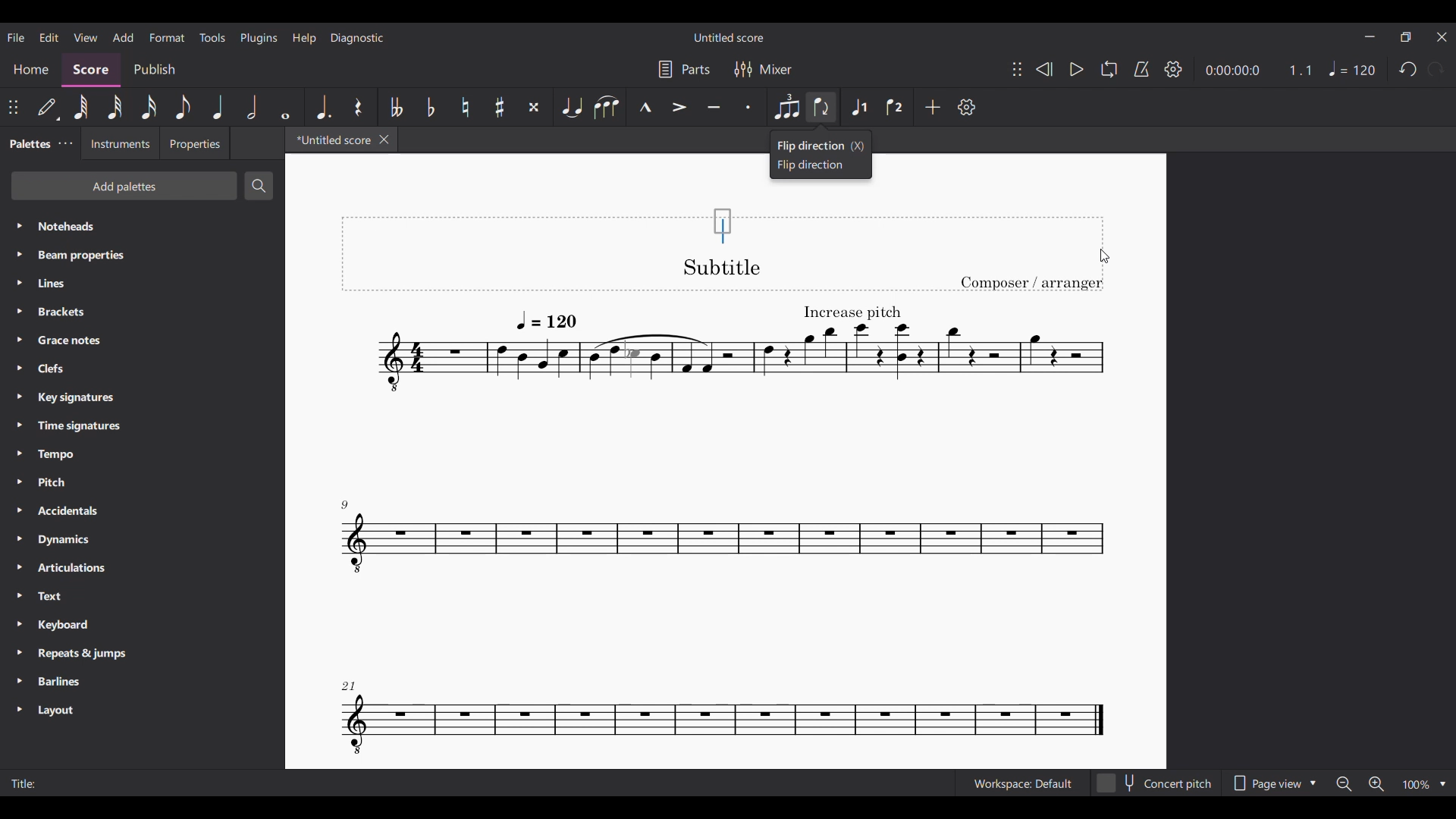  Describe the element at coordinates (143, 226) in the screenshot. I see `Noteheads` at that location.